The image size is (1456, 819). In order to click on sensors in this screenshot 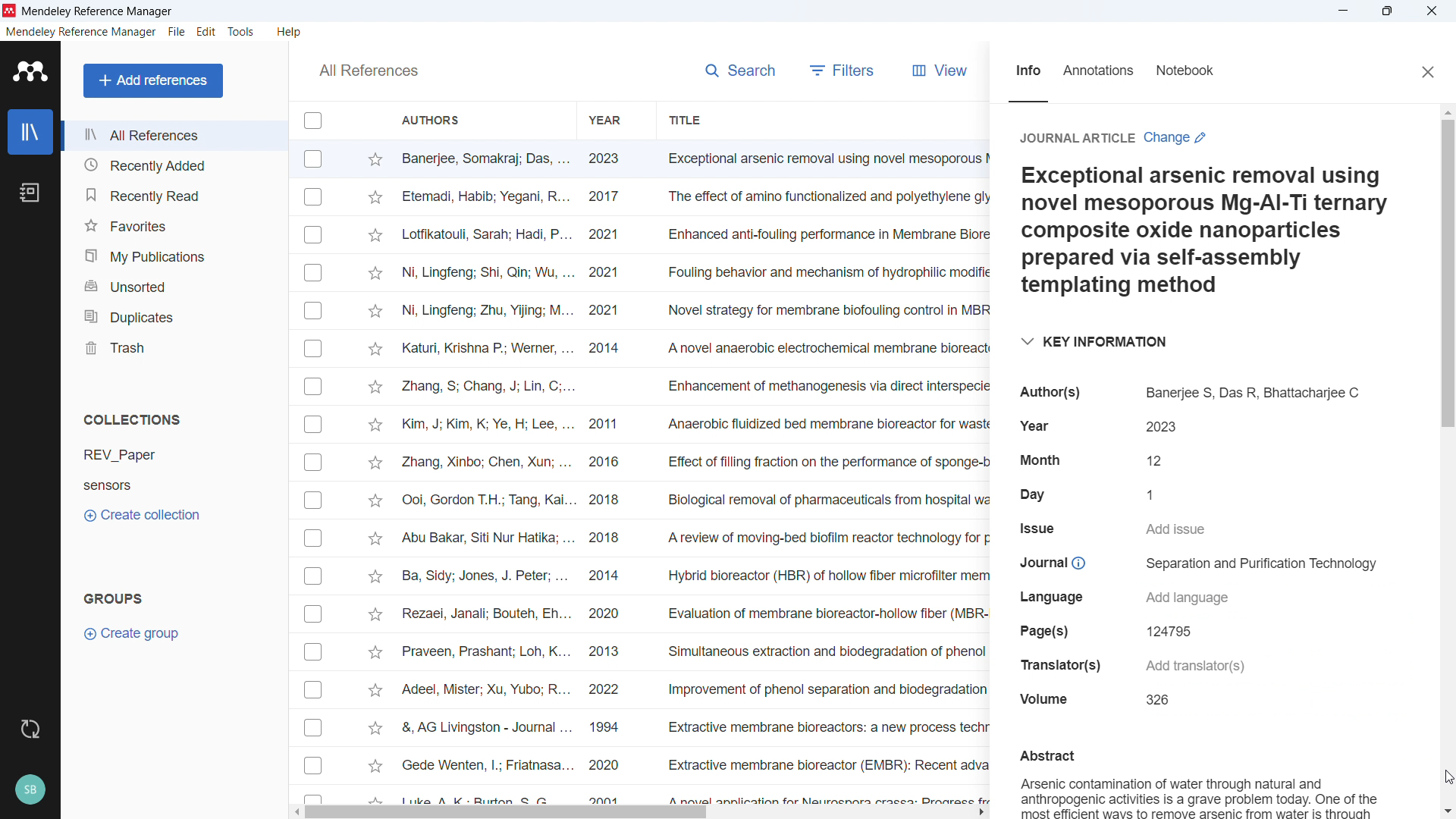, I will do `click(133, 485)`.